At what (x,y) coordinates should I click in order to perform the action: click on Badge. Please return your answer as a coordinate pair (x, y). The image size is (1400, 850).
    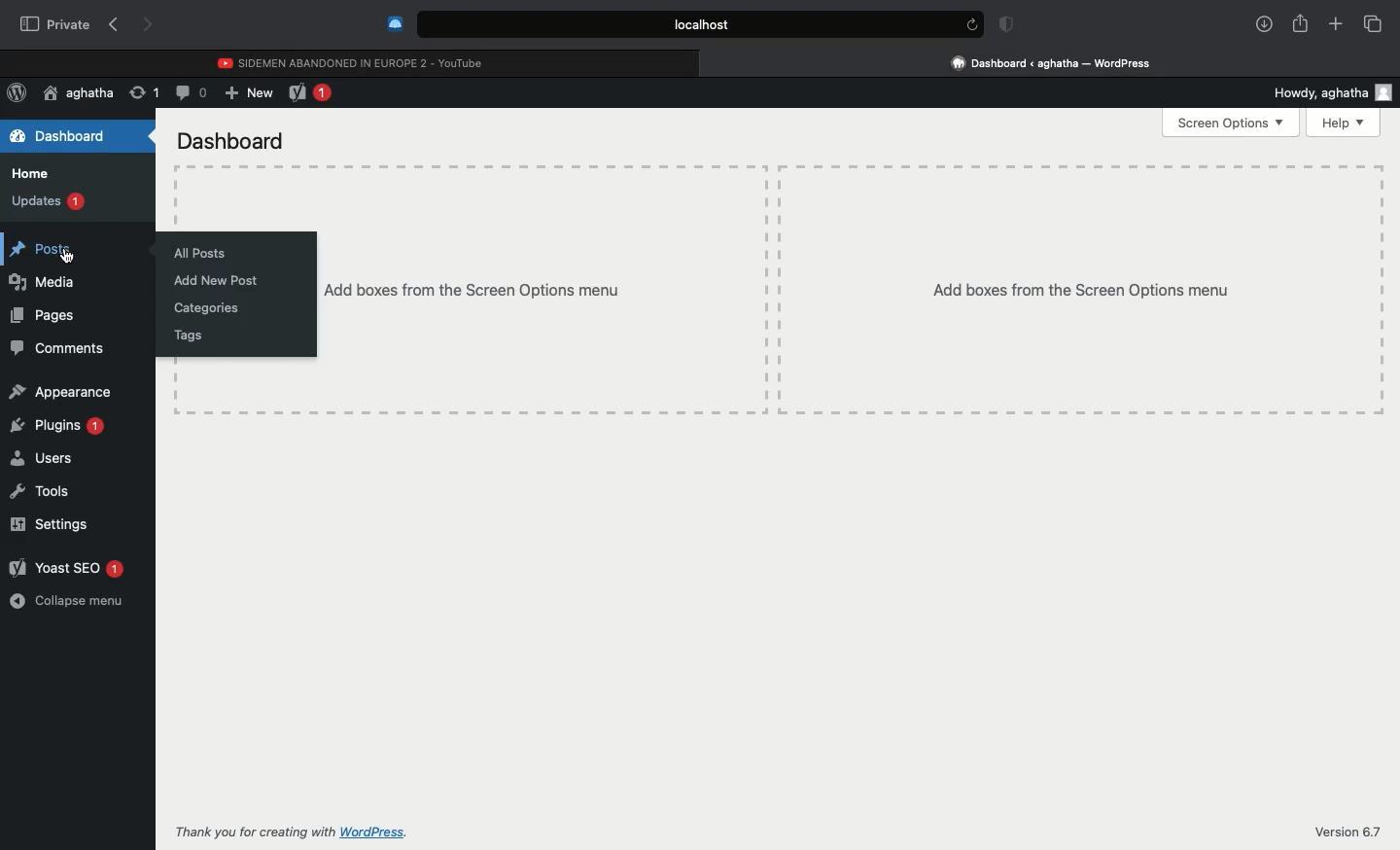
    Looking at the image, I should click on (1003, 25).